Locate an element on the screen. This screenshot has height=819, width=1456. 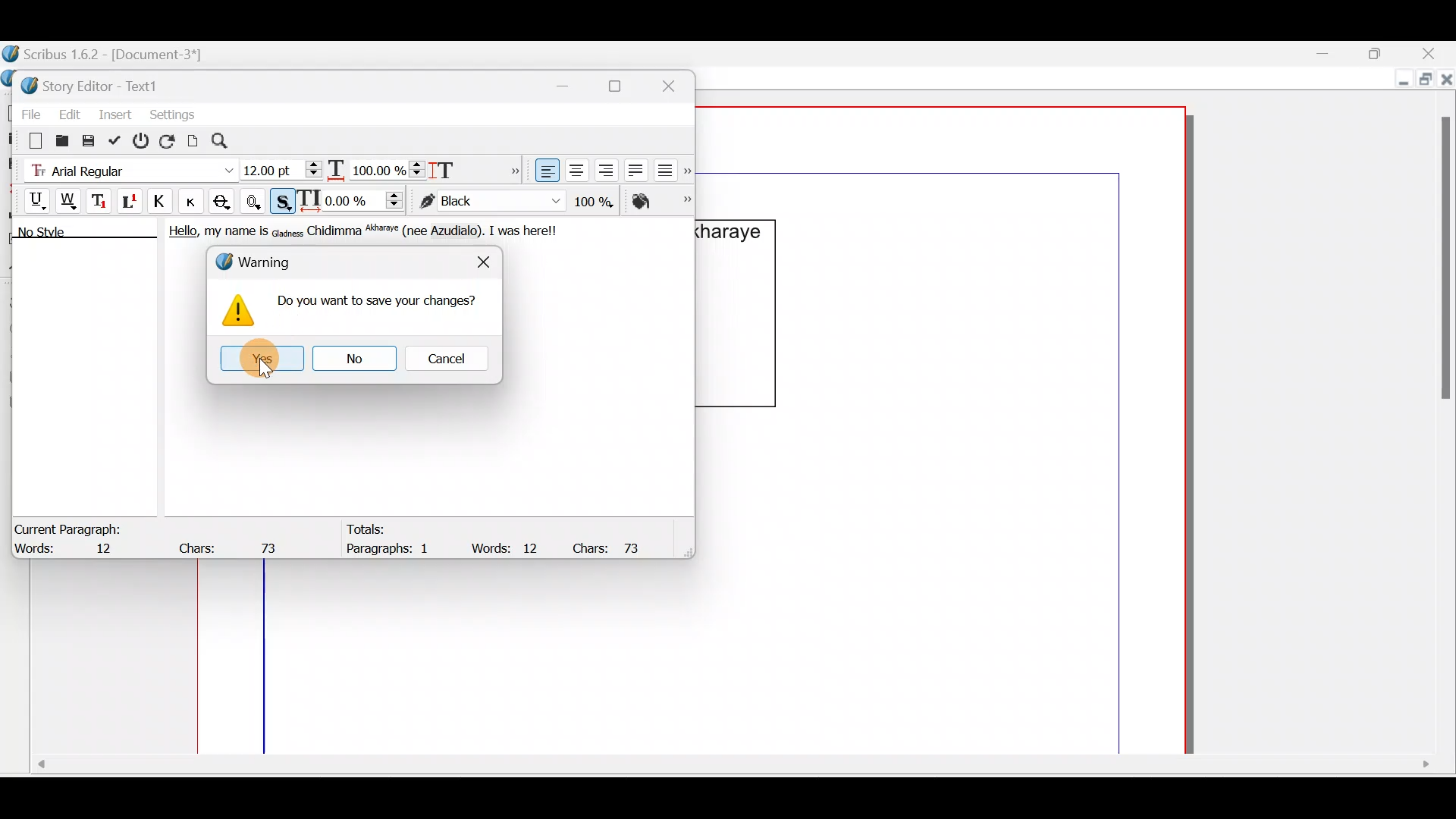
Hello, is located at coordinates (179, 234).